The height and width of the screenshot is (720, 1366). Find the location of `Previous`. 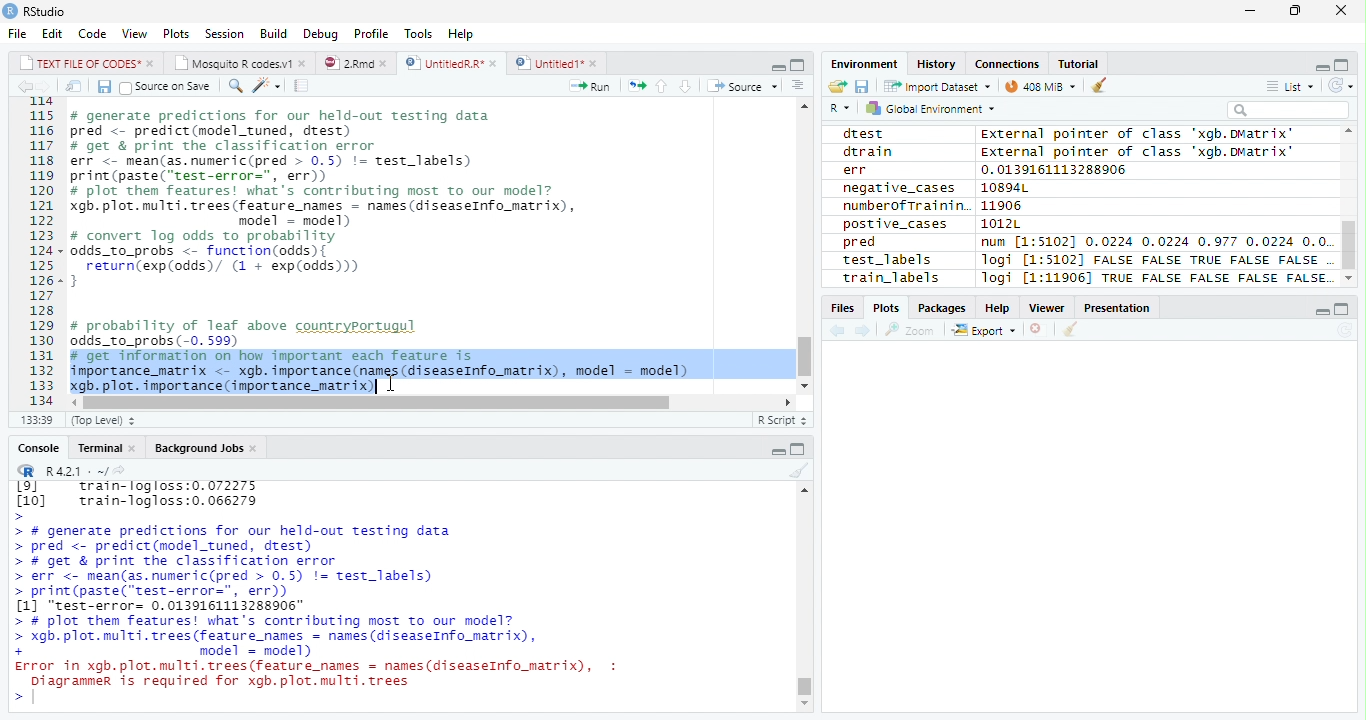

Previous is located at coordinates (835, 329).